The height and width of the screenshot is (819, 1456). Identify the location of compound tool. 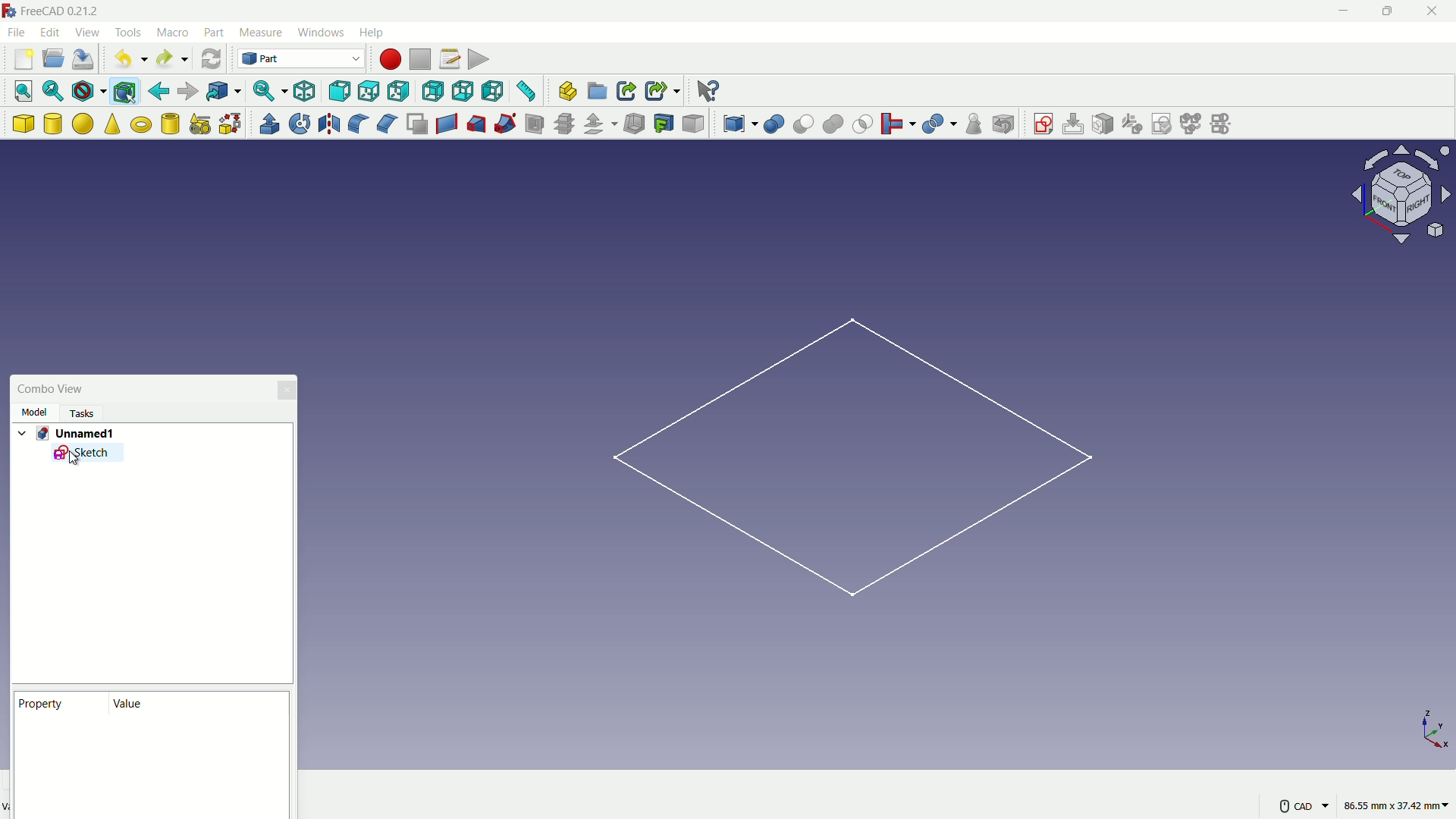
(741, 125).